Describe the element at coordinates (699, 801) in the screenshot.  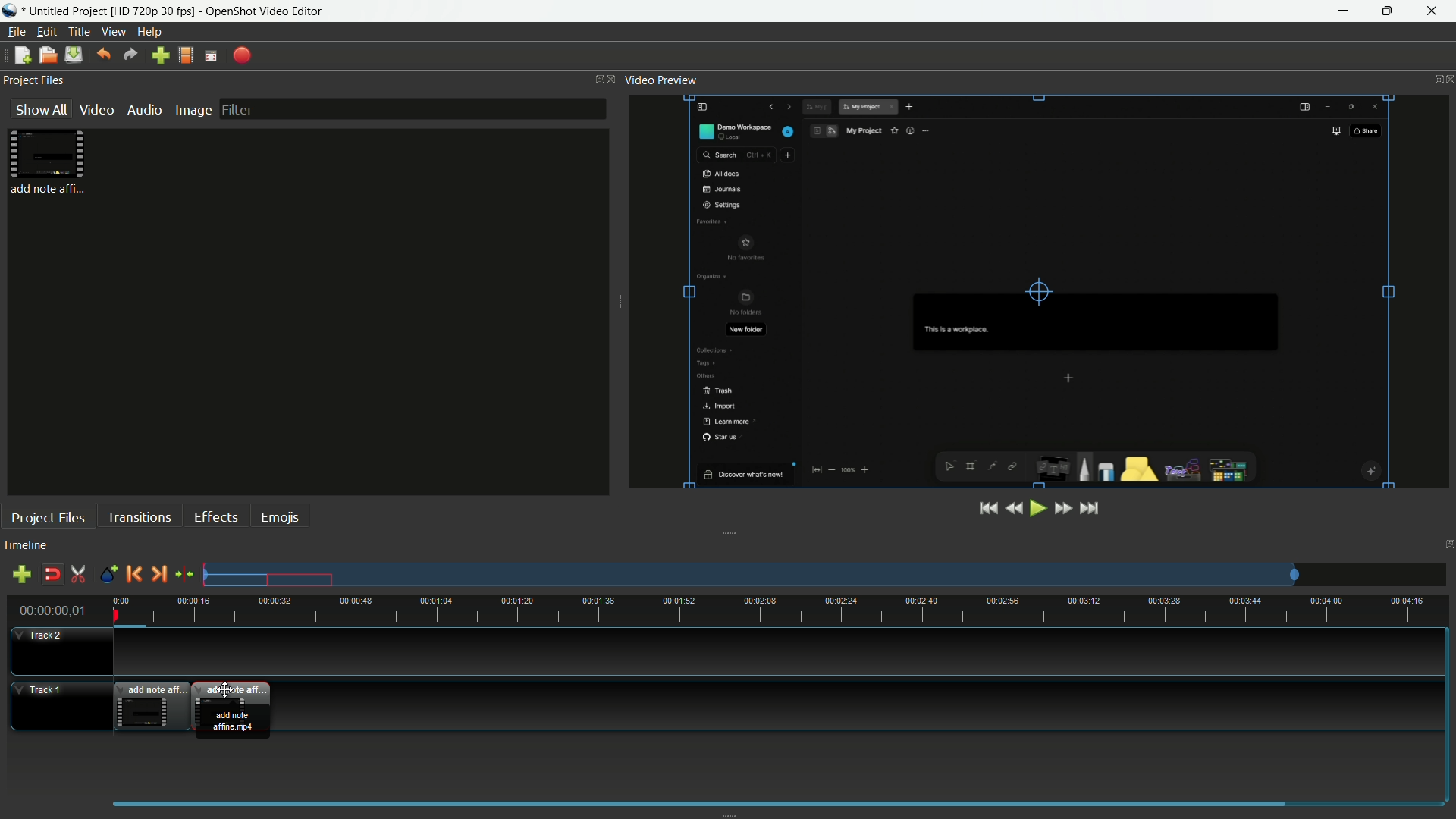
I see `scrollbar` at that location.